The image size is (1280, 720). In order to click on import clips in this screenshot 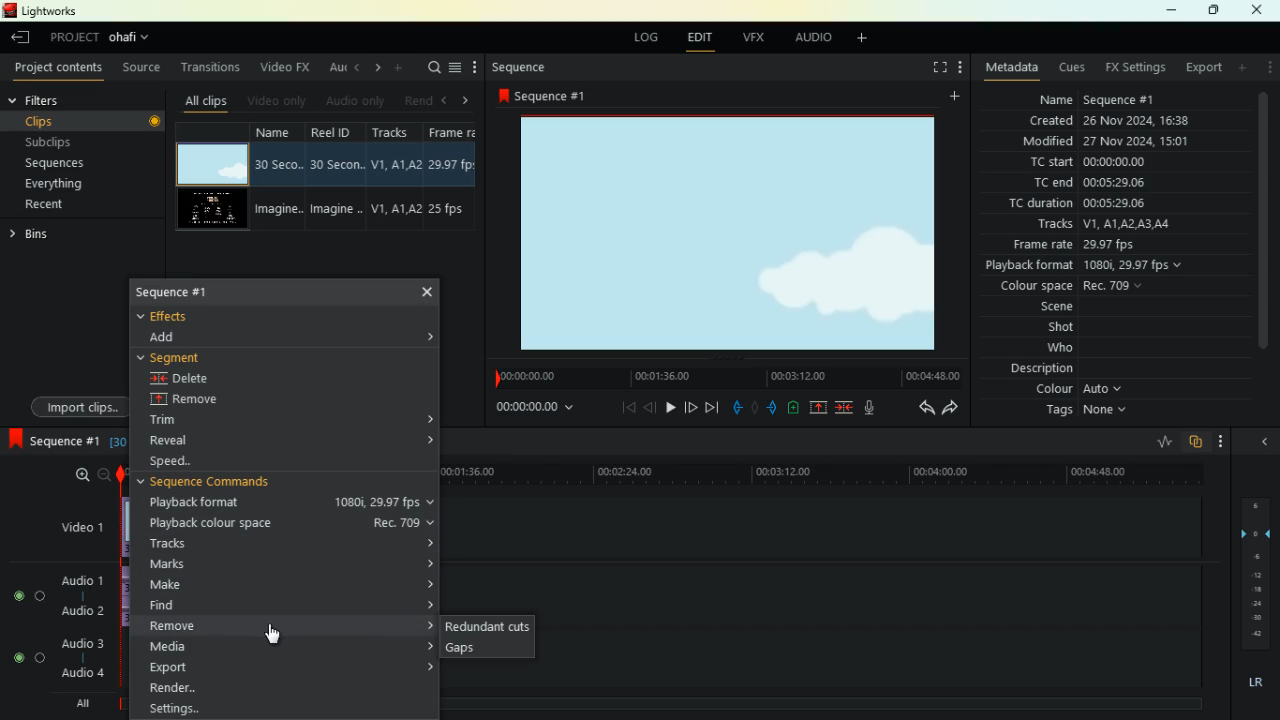, I will do `click(76, 405)`.